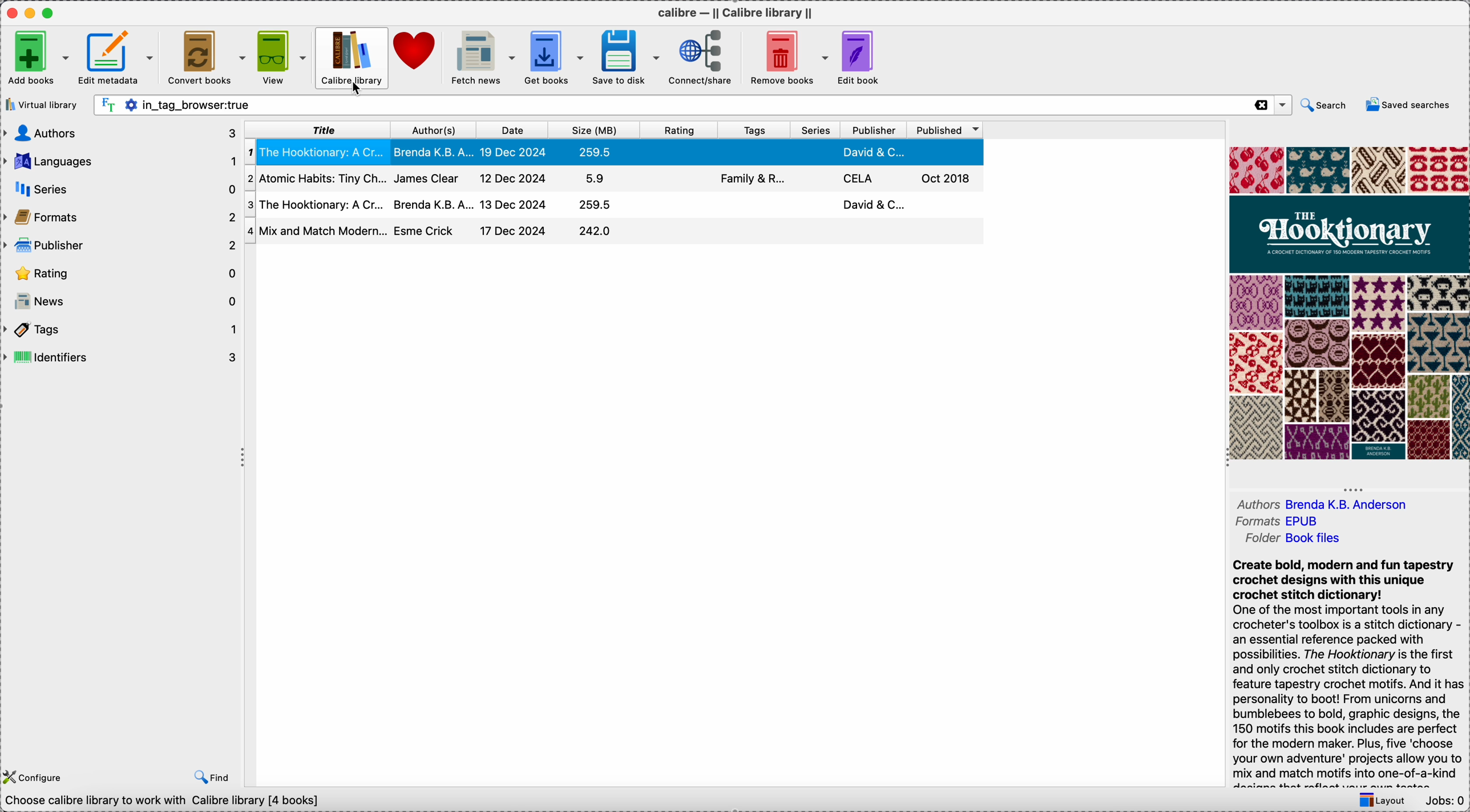 This screenshot has width=1470, height=812. I want to click on search, so click(1326, 106).